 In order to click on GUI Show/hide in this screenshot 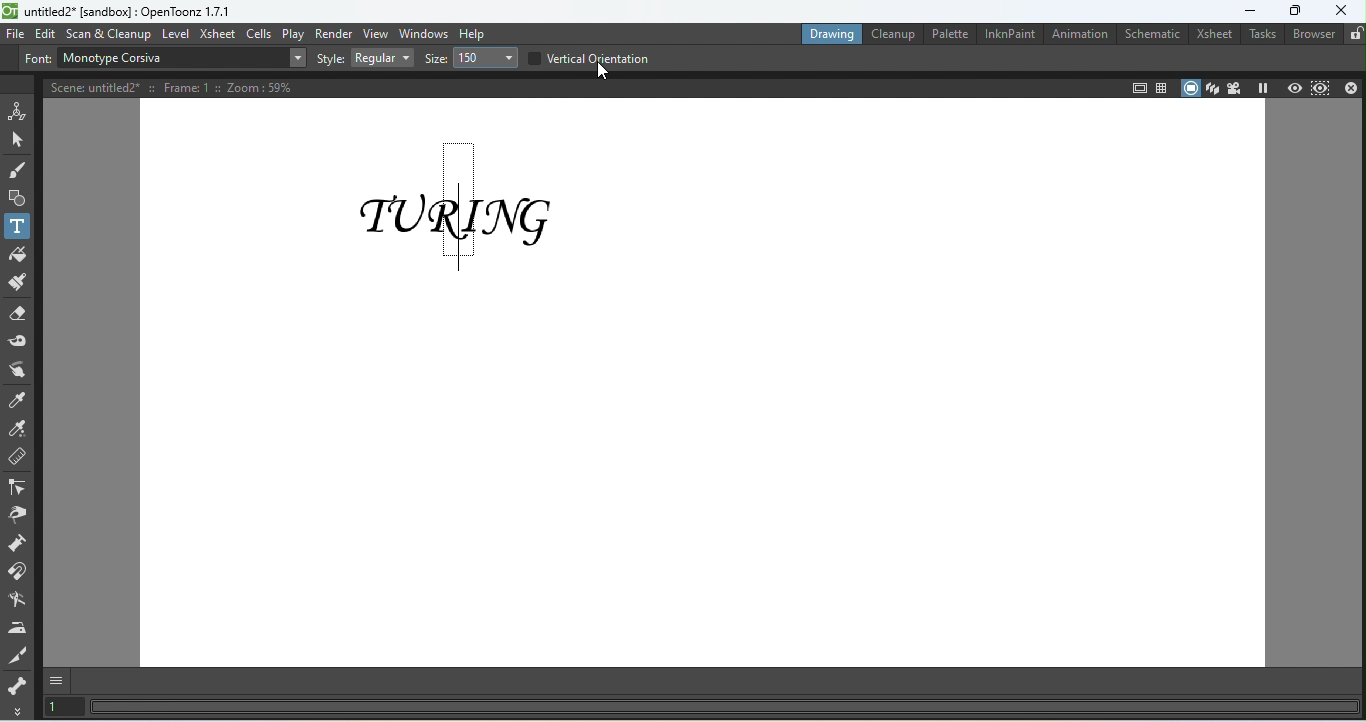, I will do `click(61, 679)`.